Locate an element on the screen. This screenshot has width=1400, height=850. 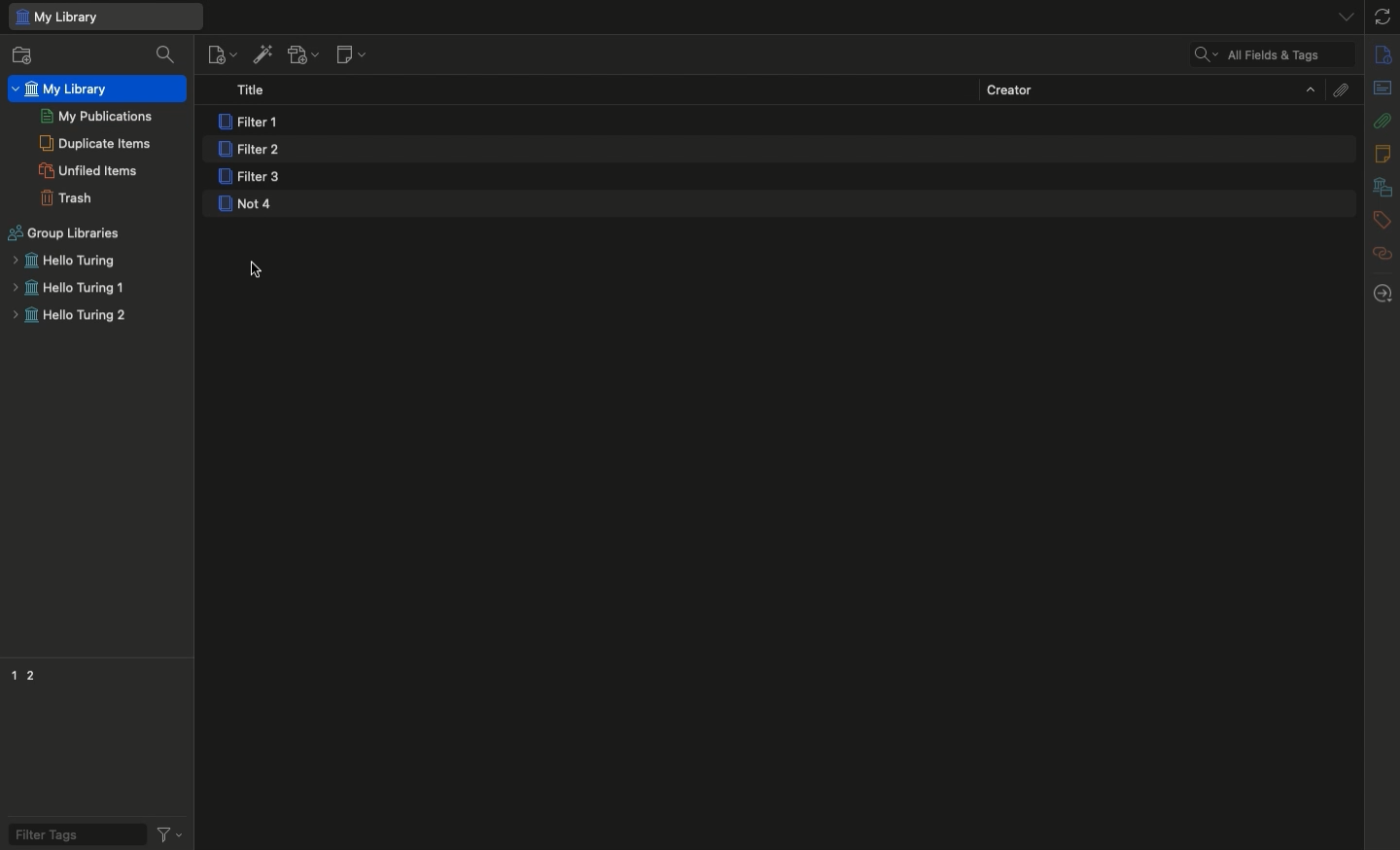
Notes is located at coordinates (1385, 154).